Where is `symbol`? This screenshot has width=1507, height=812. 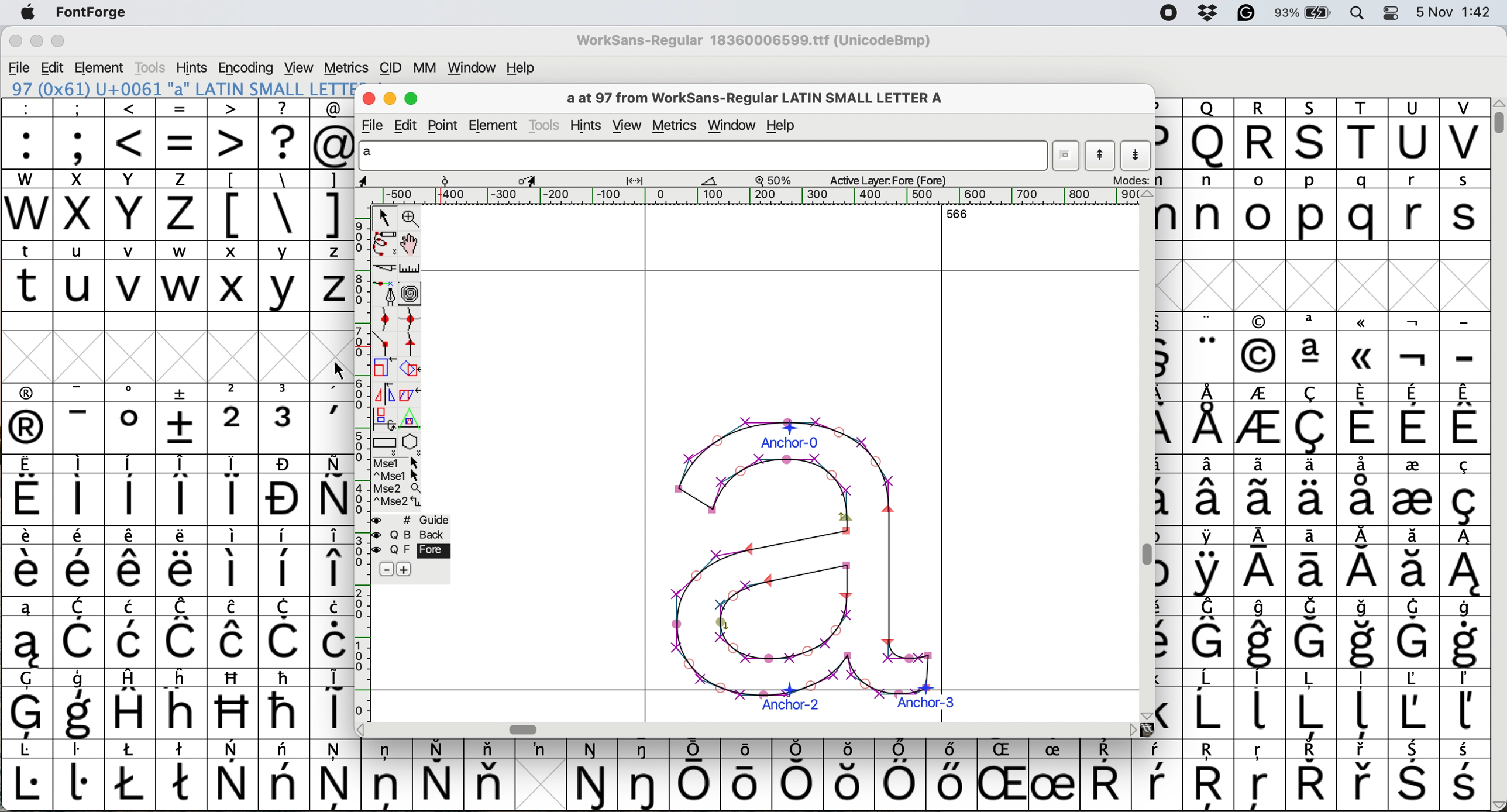
symbol is located at coordinates (540, 749).